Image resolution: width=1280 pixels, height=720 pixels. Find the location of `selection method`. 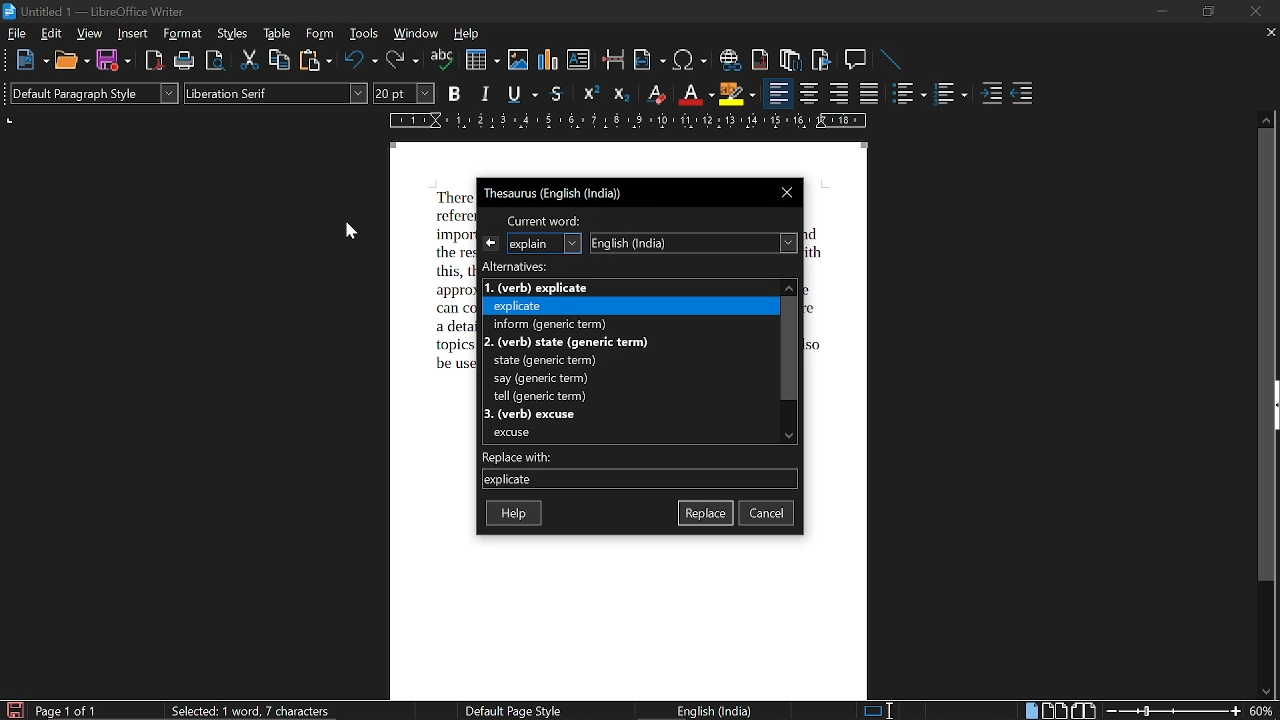

selection method is located at coordinates (877, 710).